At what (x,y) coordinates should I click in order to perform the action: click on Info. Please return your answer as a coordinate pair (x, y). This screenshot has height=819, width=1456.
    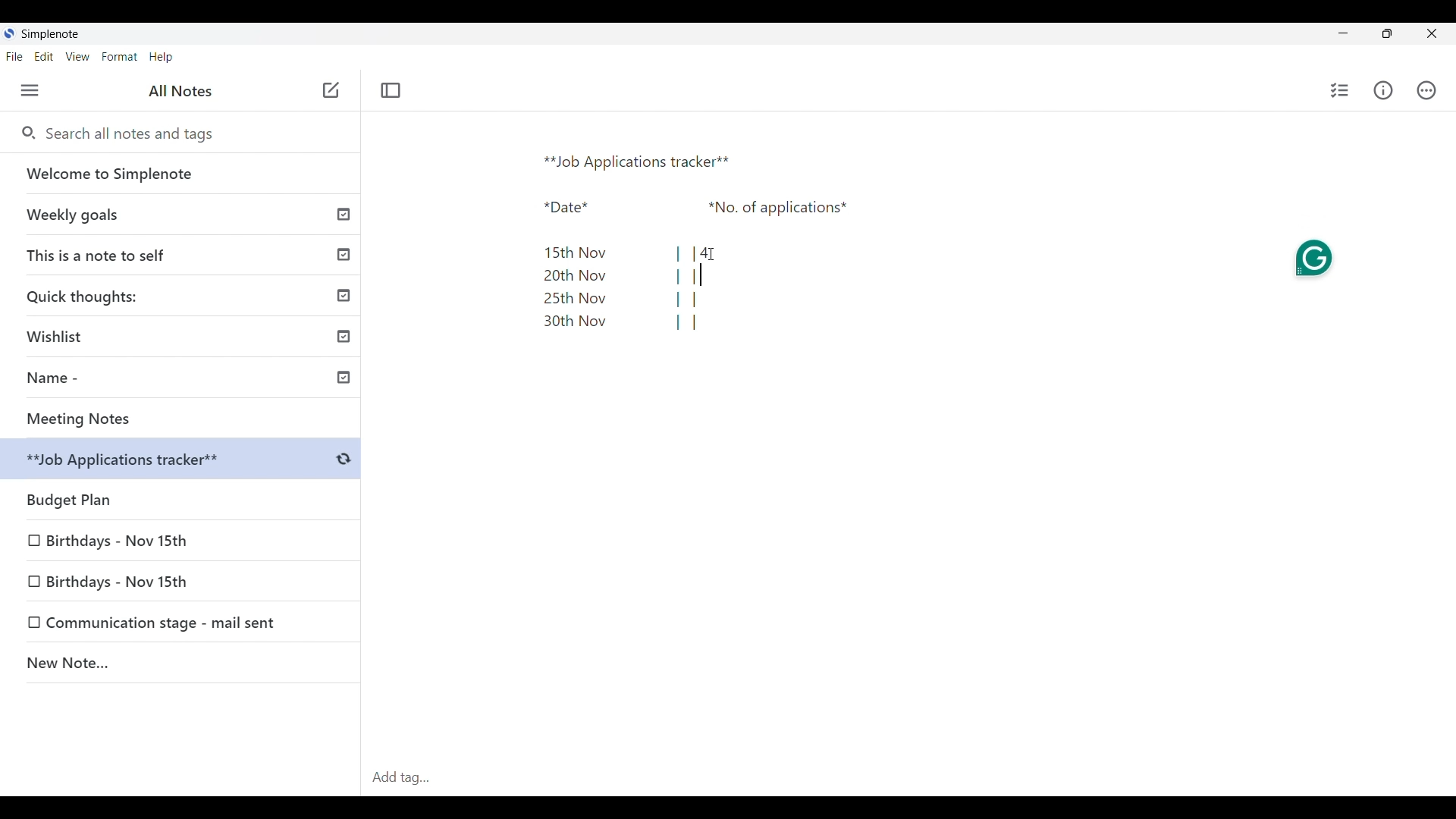
    Looking at the image, I should click on (1384, 90).